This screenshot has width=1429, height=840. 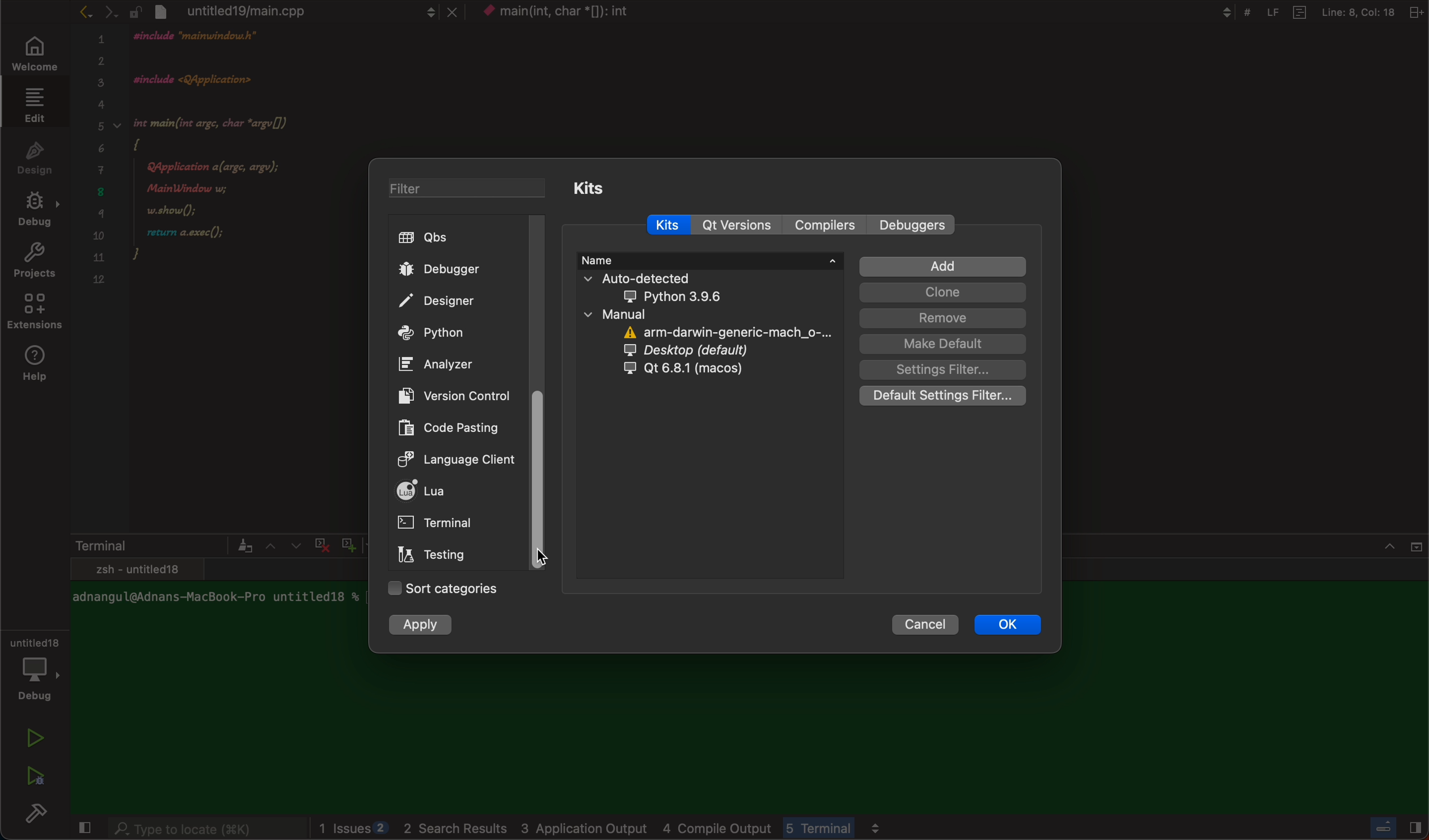 What do you see at coordinates (458, 190) in the screenshot?
I see `filter` at bounding box center [458, 190].